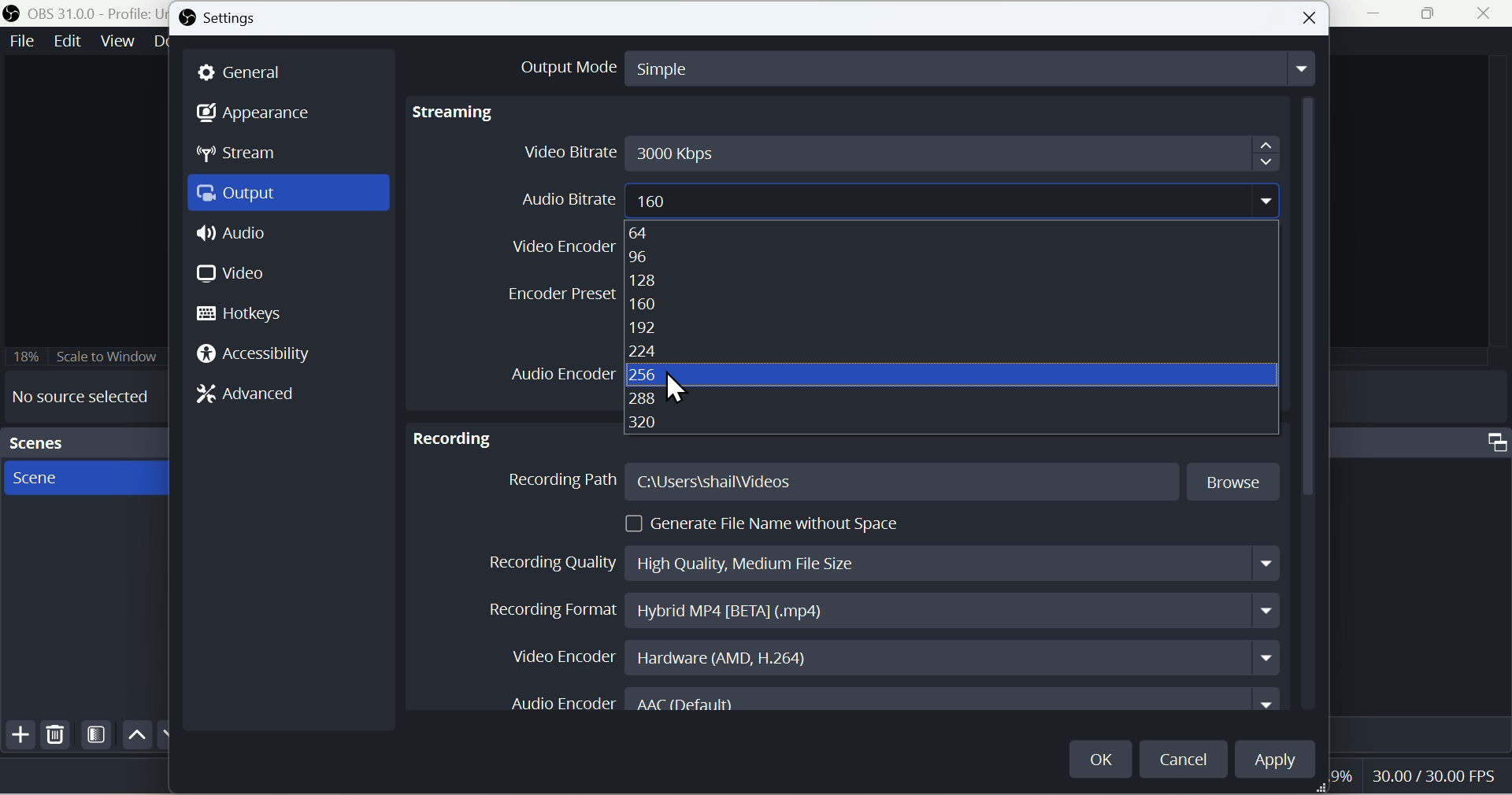 This screenshot has height=795, width=1512. Describe the element at coordinates (232, 273) in the screenshot. I see `Video` at that location.